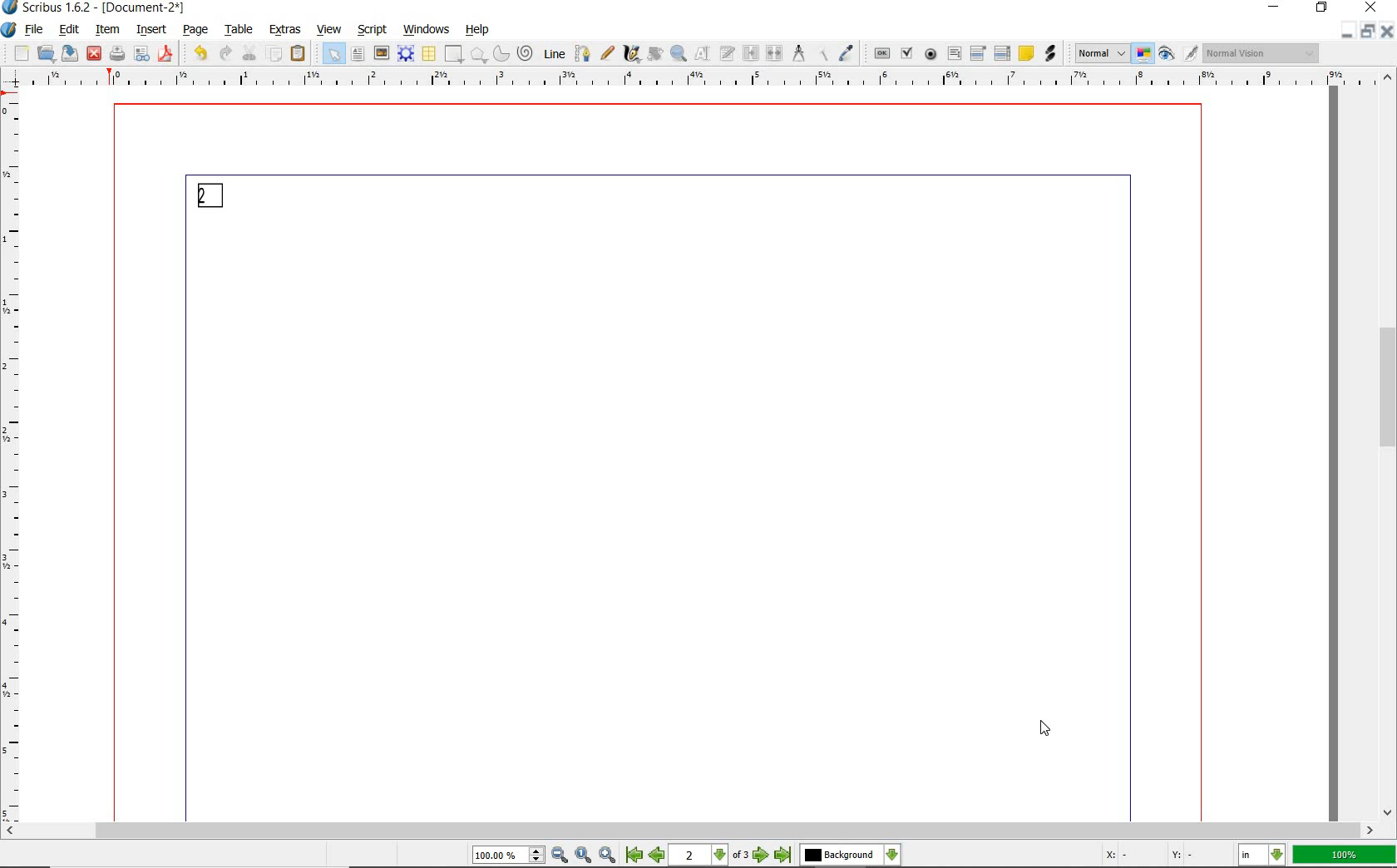  I want to click on copy, so click(274, 55).